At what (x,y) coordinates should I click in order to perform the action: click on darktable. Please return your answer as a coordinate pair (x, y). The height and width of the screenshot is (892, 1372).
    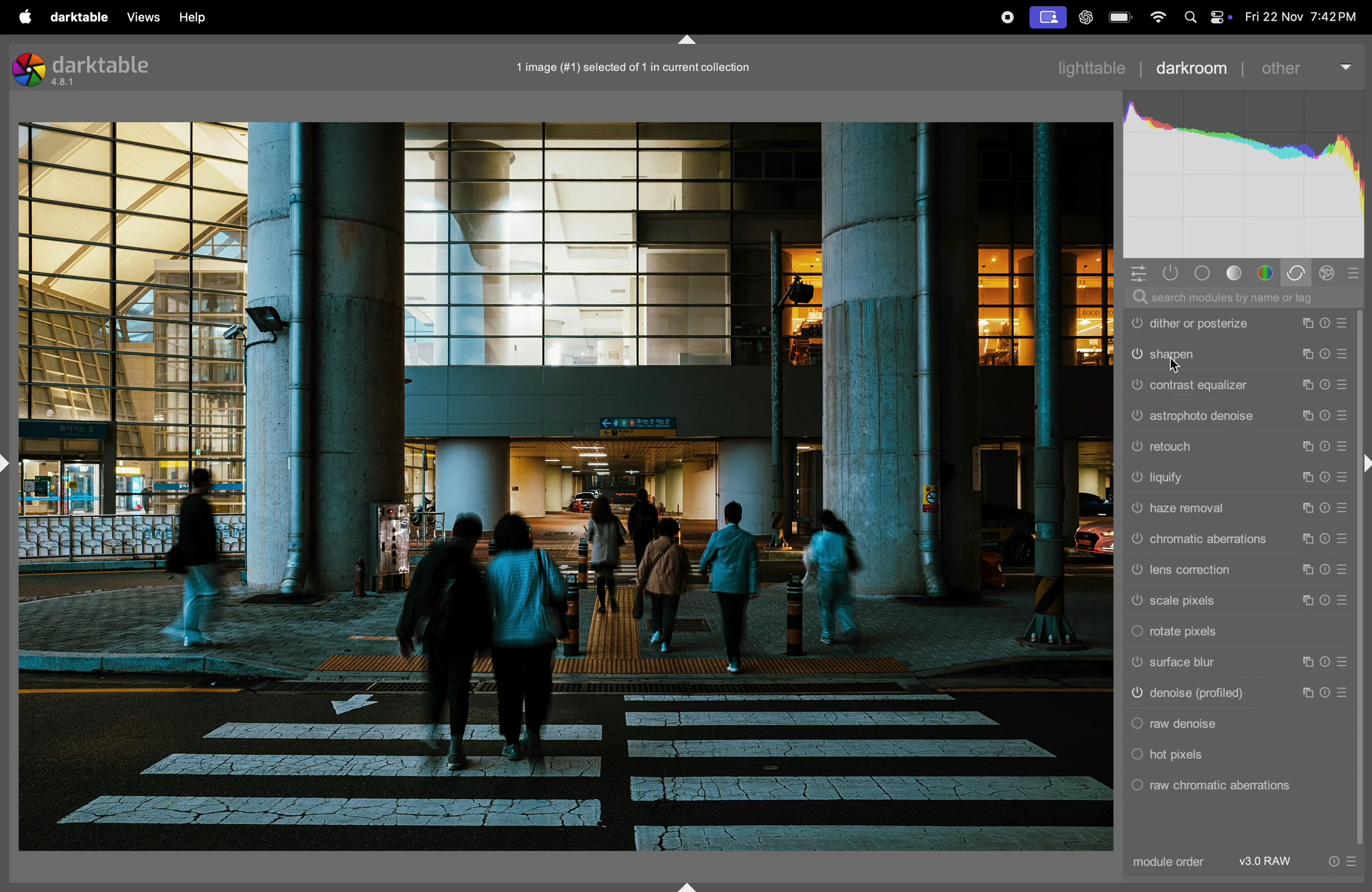
    Looking at the image, I should click on (88, 68).